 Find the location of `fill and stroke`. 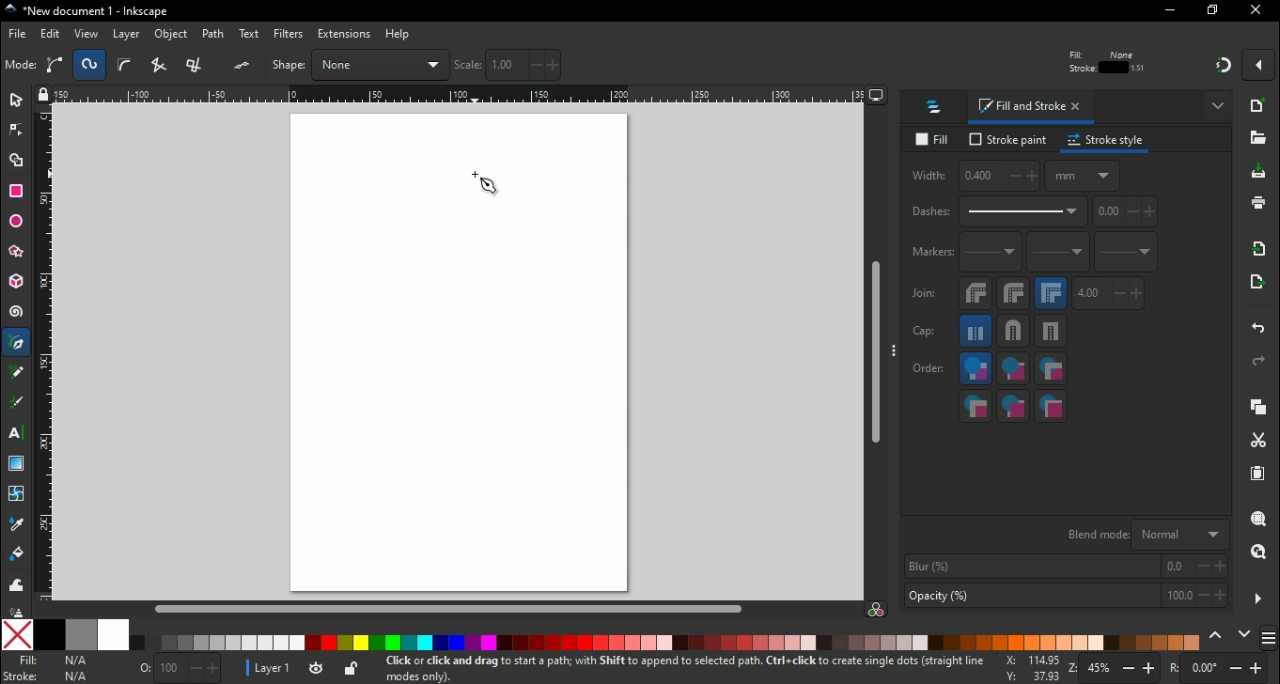

fill and stroke is located at coordinates (1032, 109).